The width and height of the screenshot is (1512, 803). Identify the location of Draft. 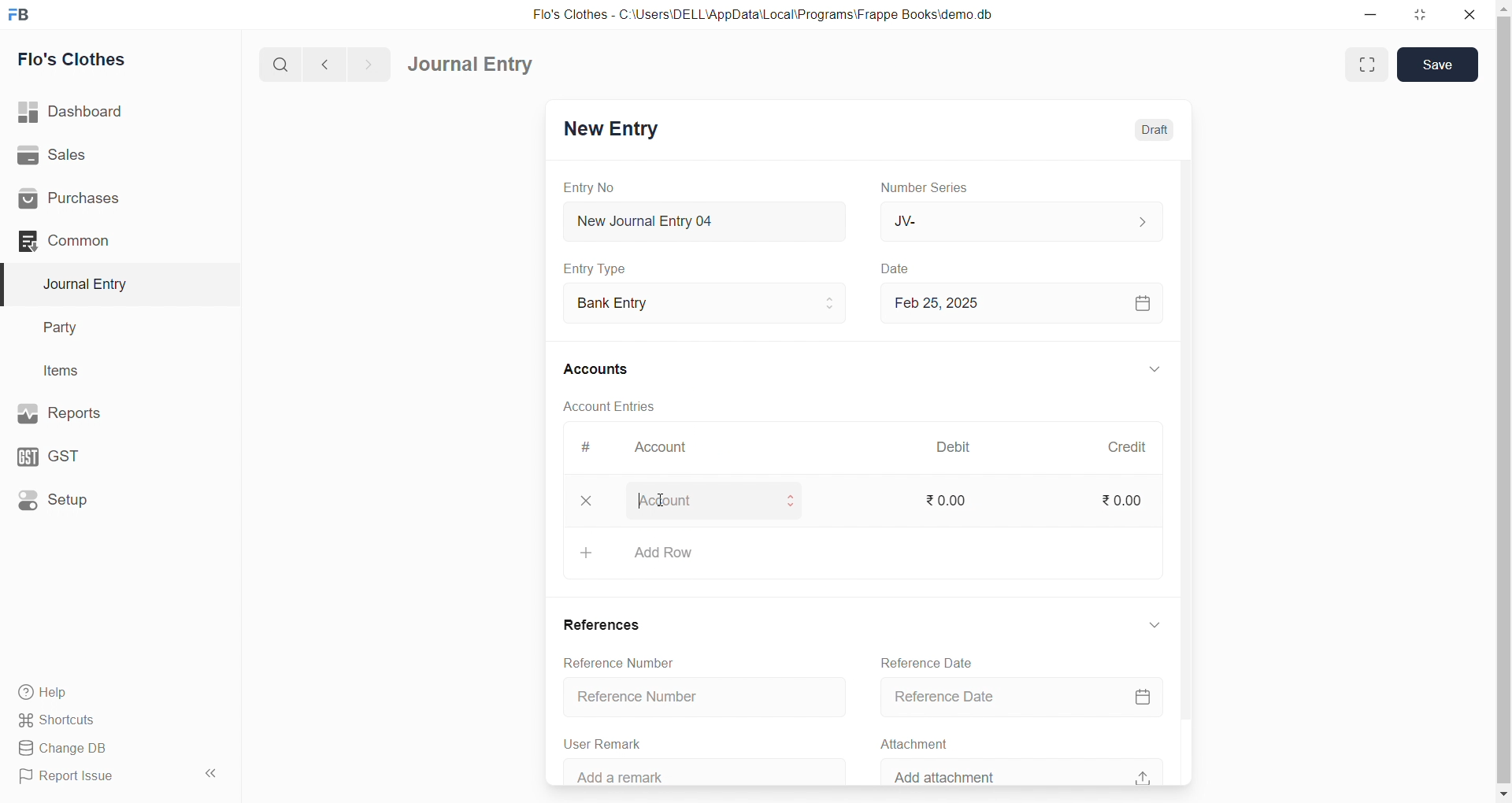
(1153, 130).